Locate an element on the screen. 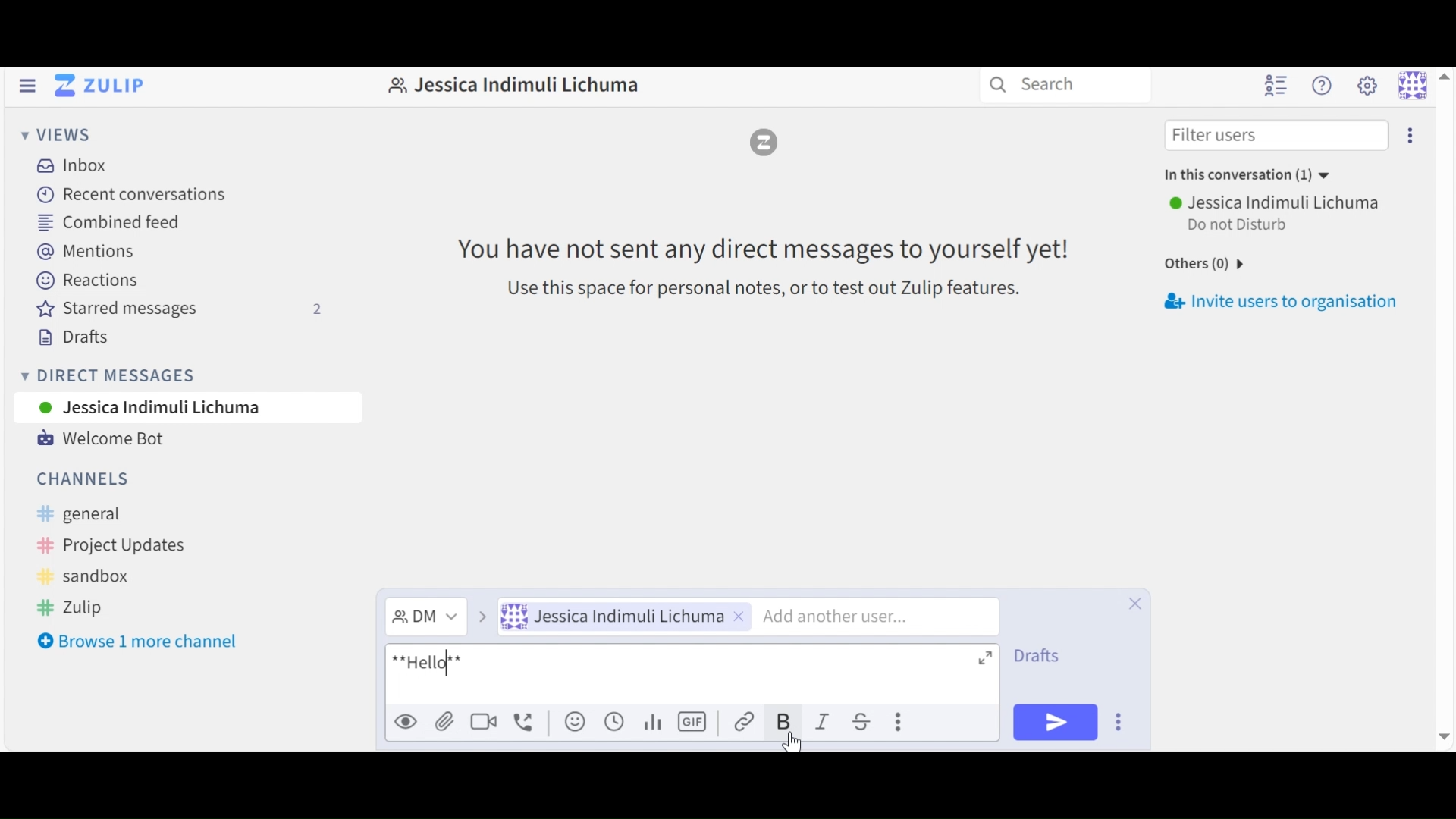 Image resolution: width=1456 pixels, height=819 pixels. Add a voice call is located at coordinates (525, 720).